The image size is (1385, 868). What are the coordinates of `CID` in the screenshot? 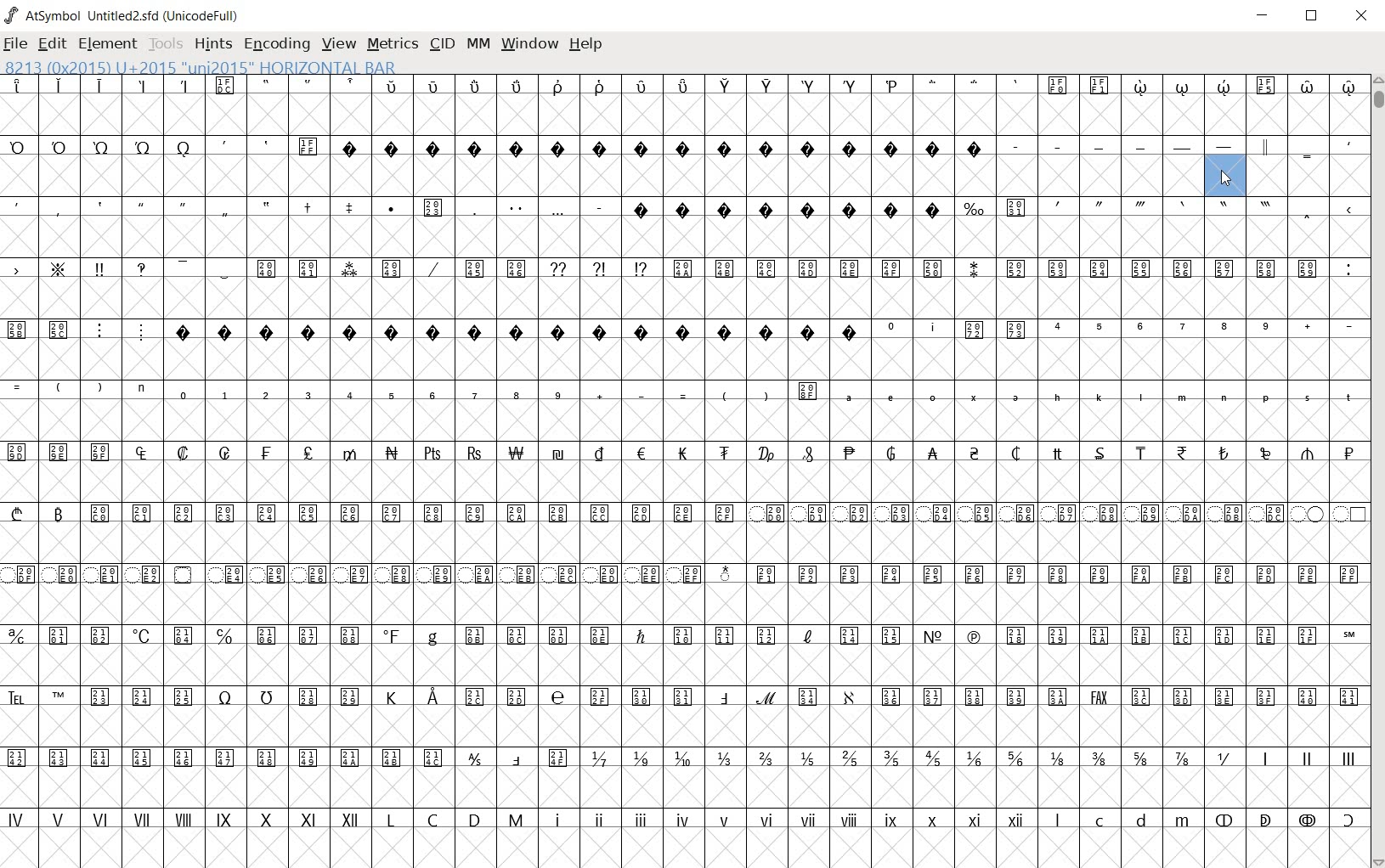 It's located at (442, 43).